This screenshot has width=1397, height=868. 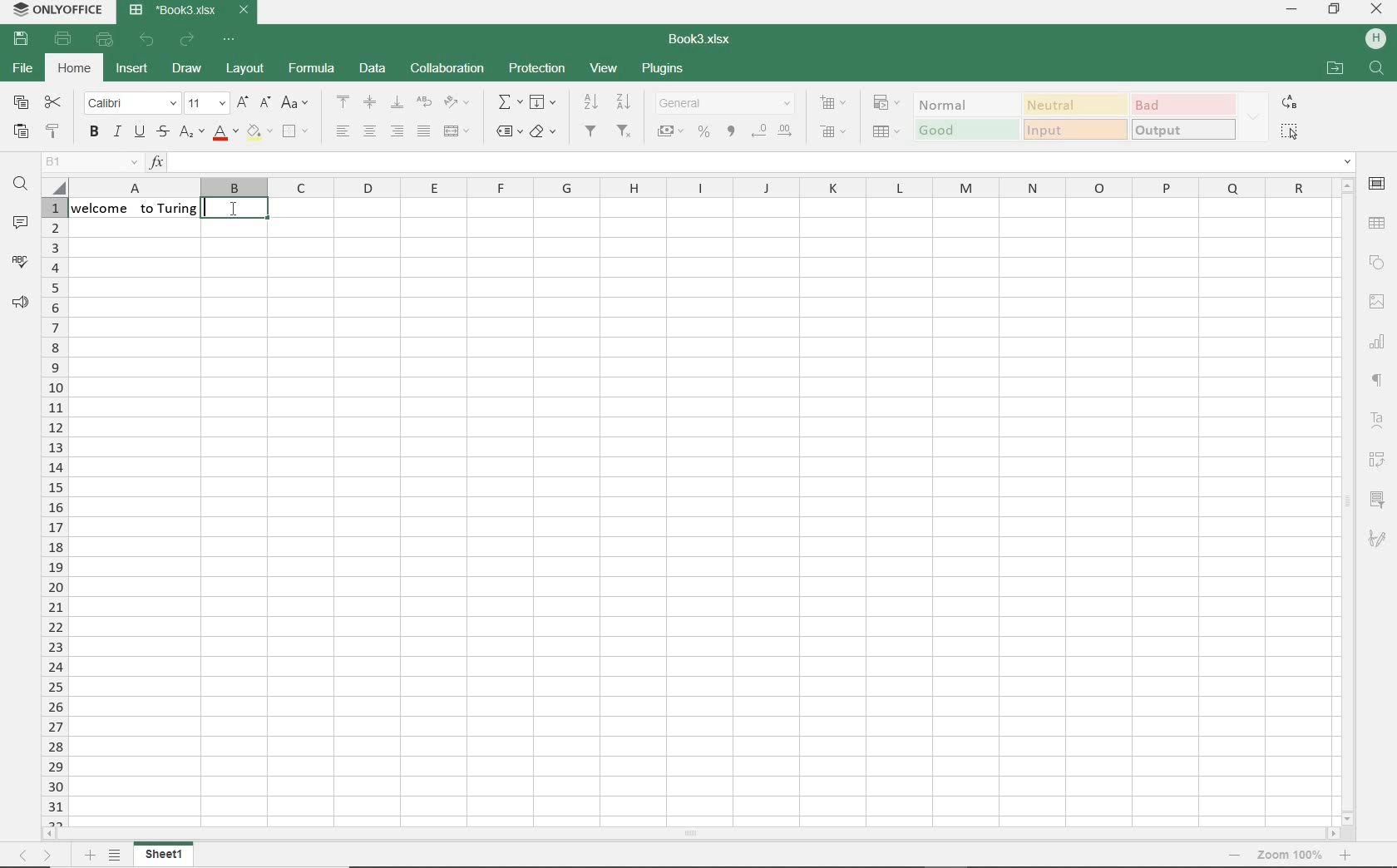 I want to click on bold, so click(x=95, y=133).